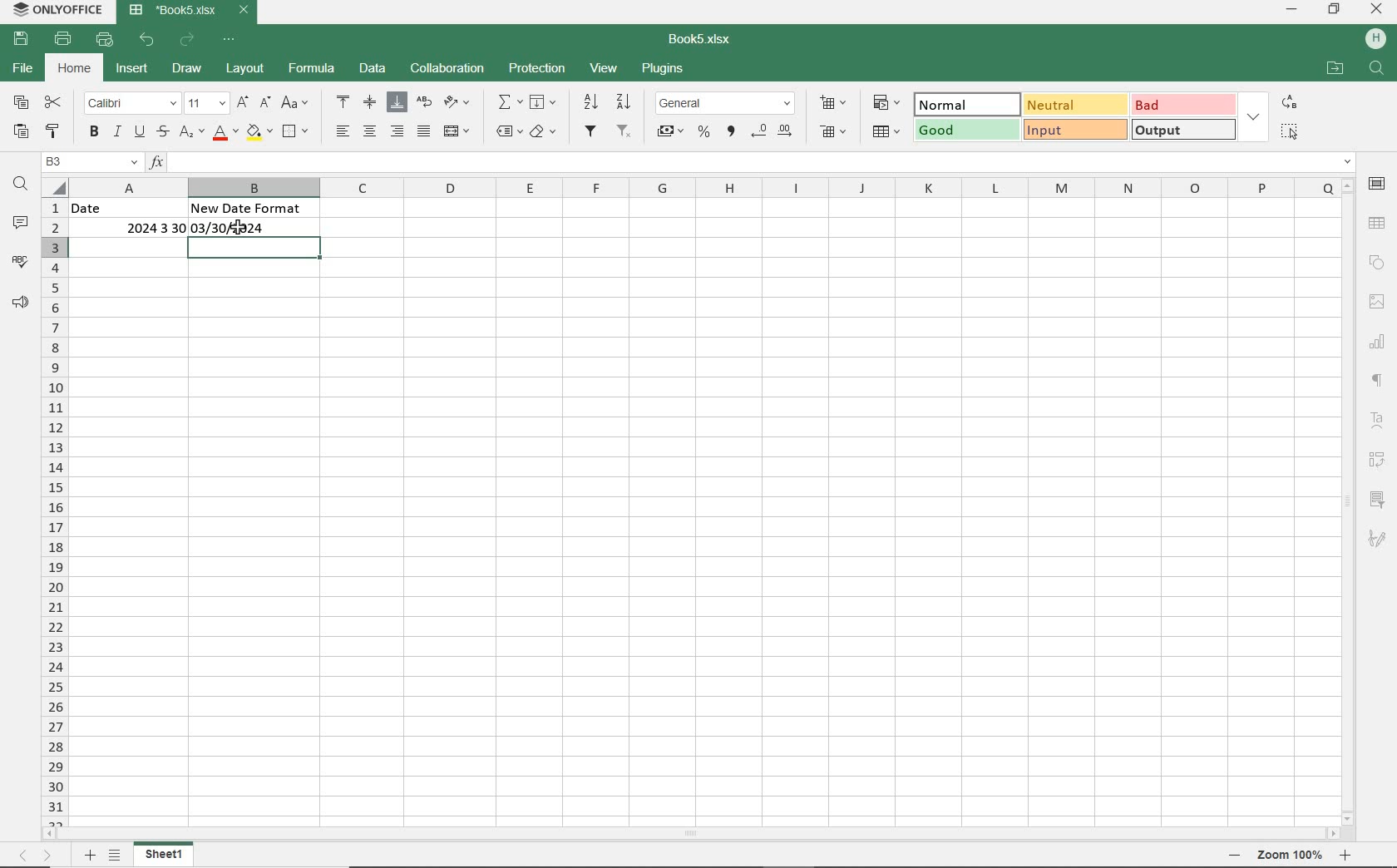  I want to click on SELECT ALL, so click(1289, 131).